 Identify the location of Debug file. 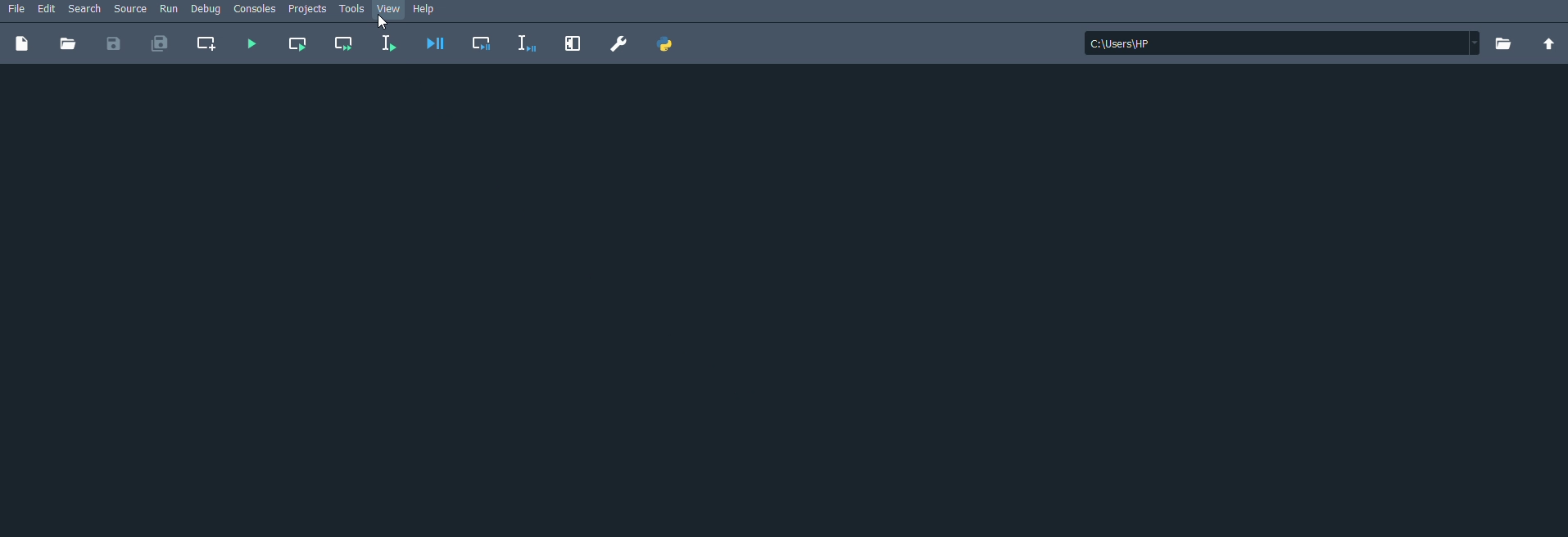
(436, 43).